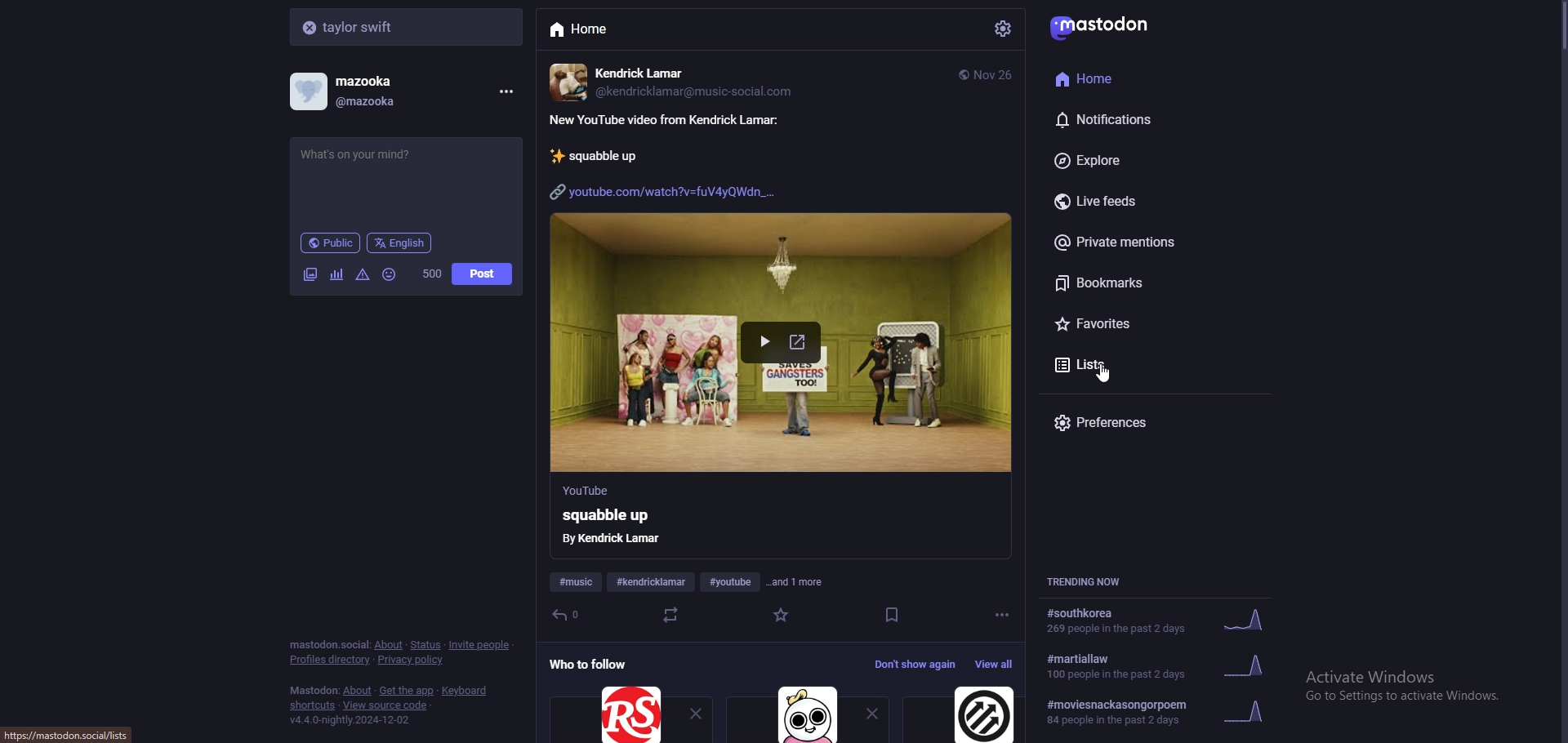 Image resolution: width=1568 pixels, height=743 pixels. I want to click on url, so click(73, 732).